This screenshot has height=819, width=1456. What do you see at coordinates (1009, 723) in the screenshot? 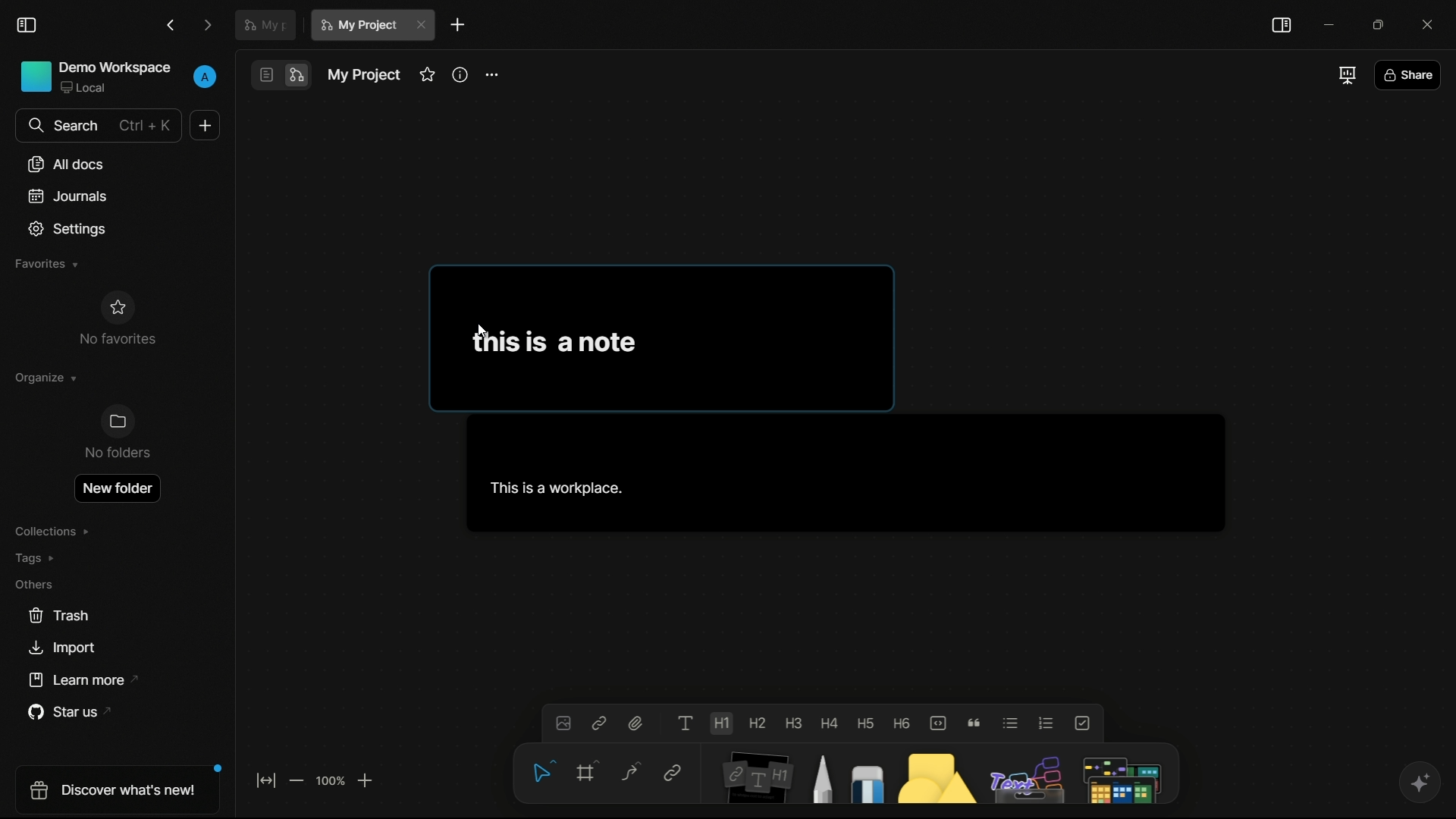
I see `bulleted list` at bounding box center [1009, 723].